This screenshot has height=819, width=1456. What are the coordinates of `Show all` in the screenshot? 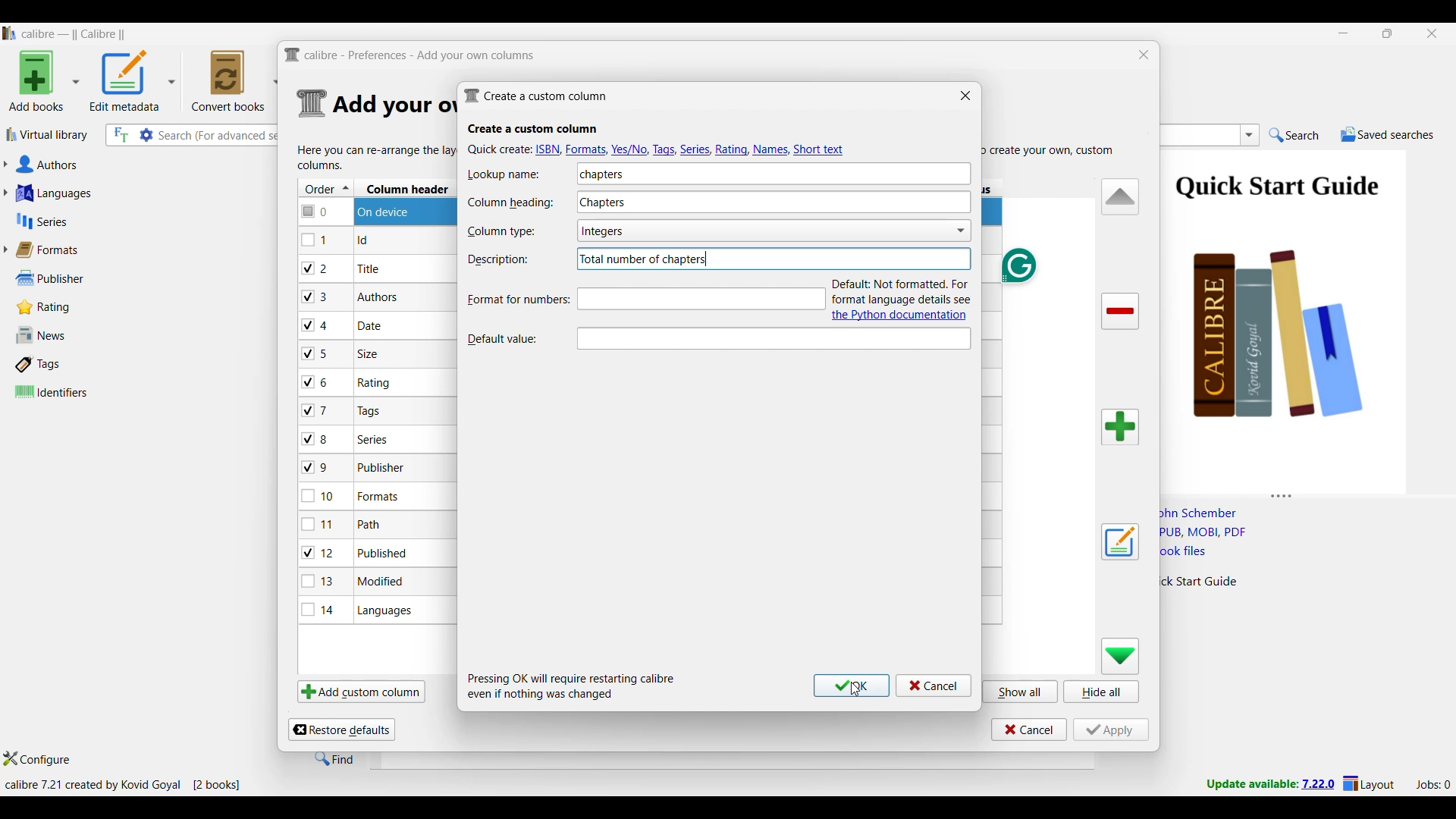 It's located at (1021, 691).